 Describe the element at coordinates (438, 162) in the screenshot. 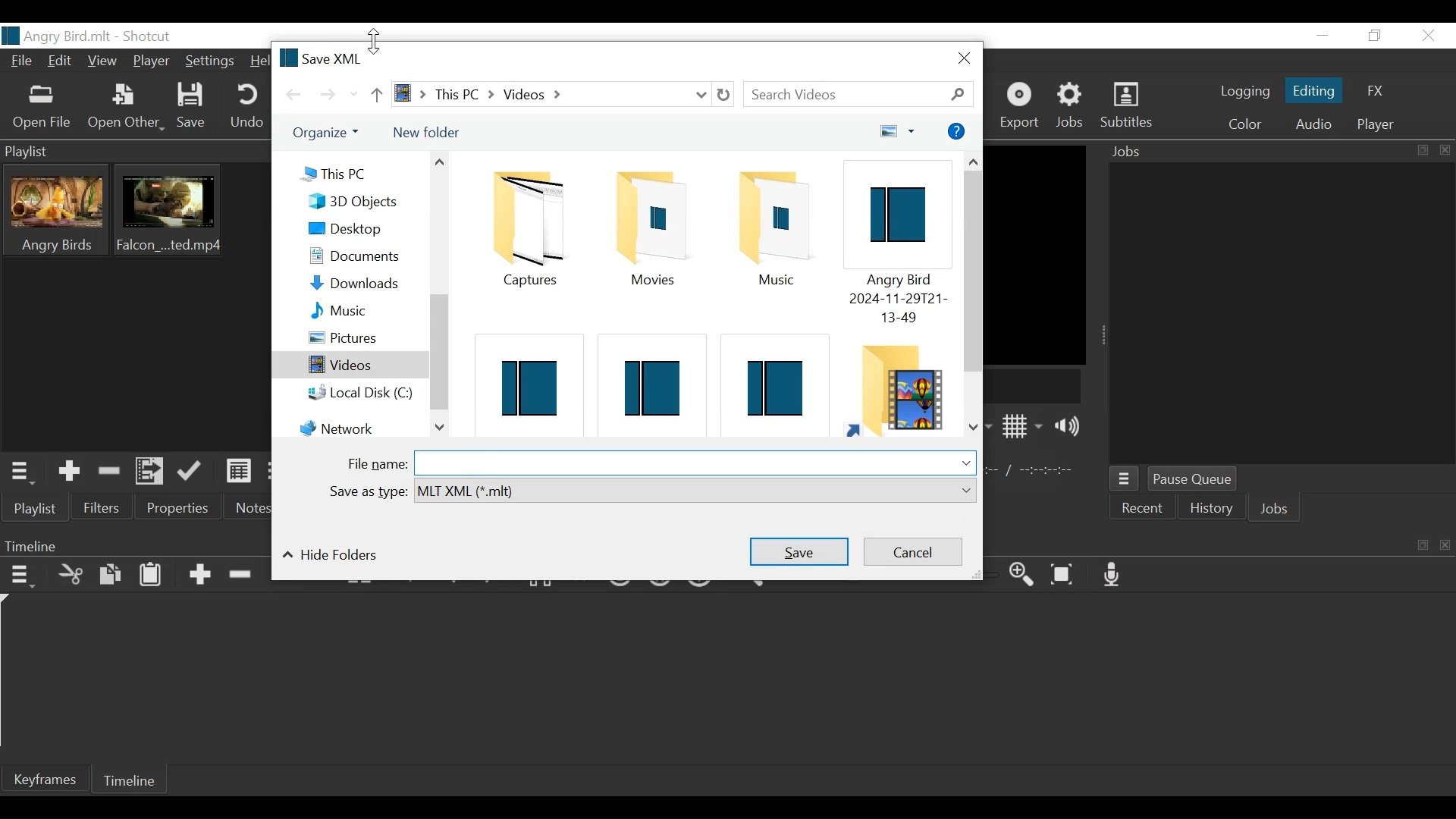

I see `Scroll up` at that location.